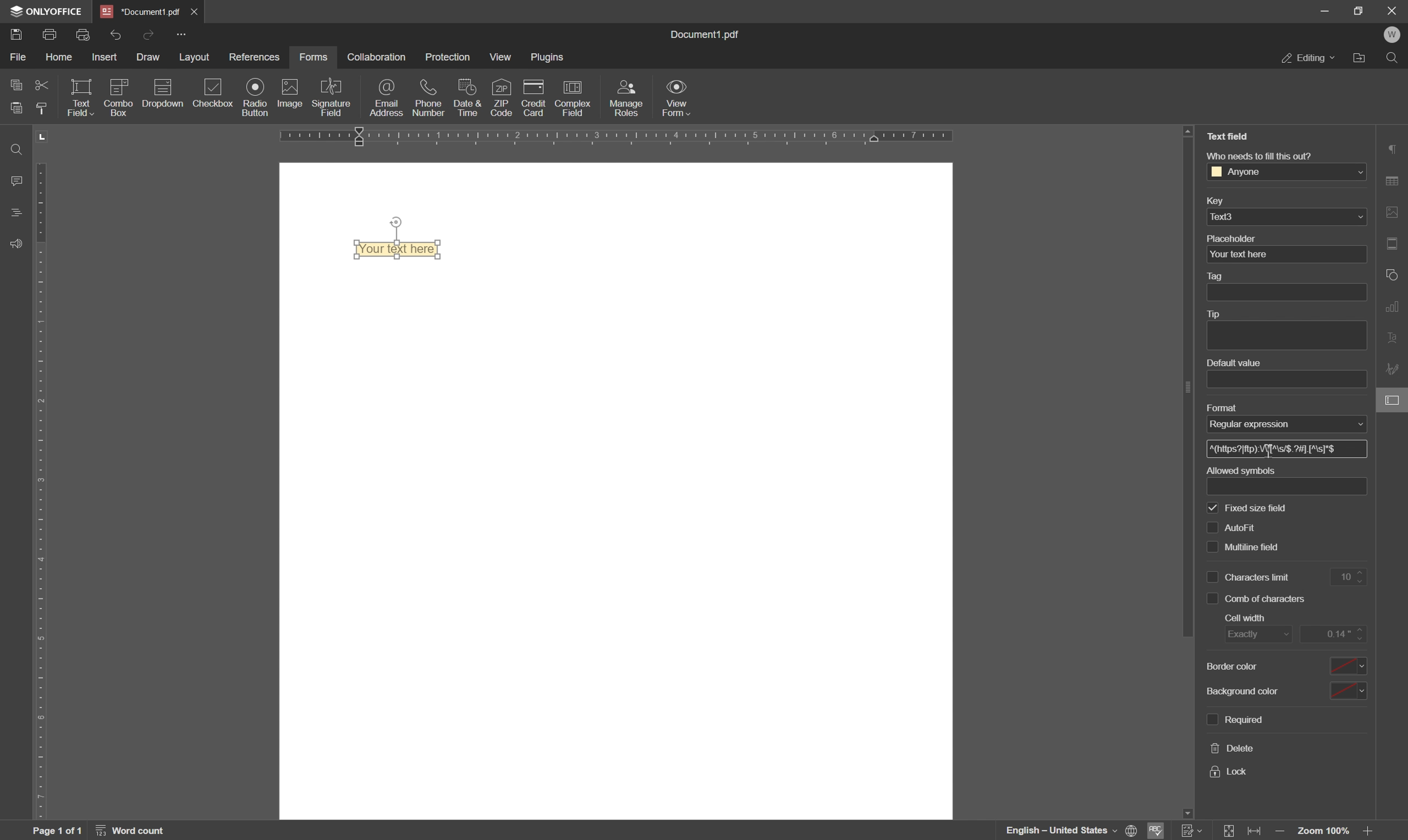  Describe the element at coordinates (115, 34) in the screenshot. I see `undo` at that location.